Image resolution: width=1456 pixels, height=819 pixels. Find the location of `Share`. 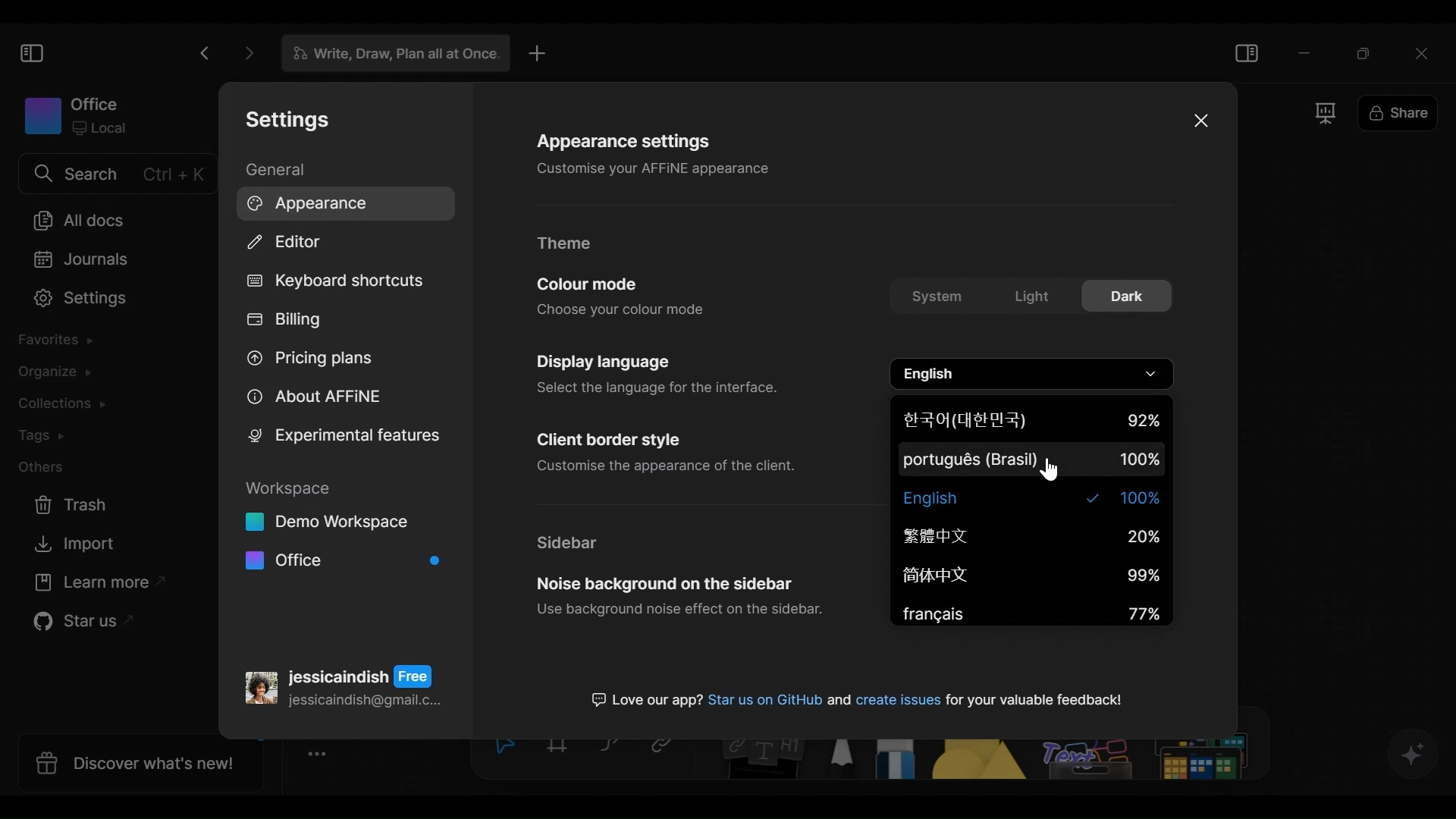

Share is located at coordinates (1396, 115).